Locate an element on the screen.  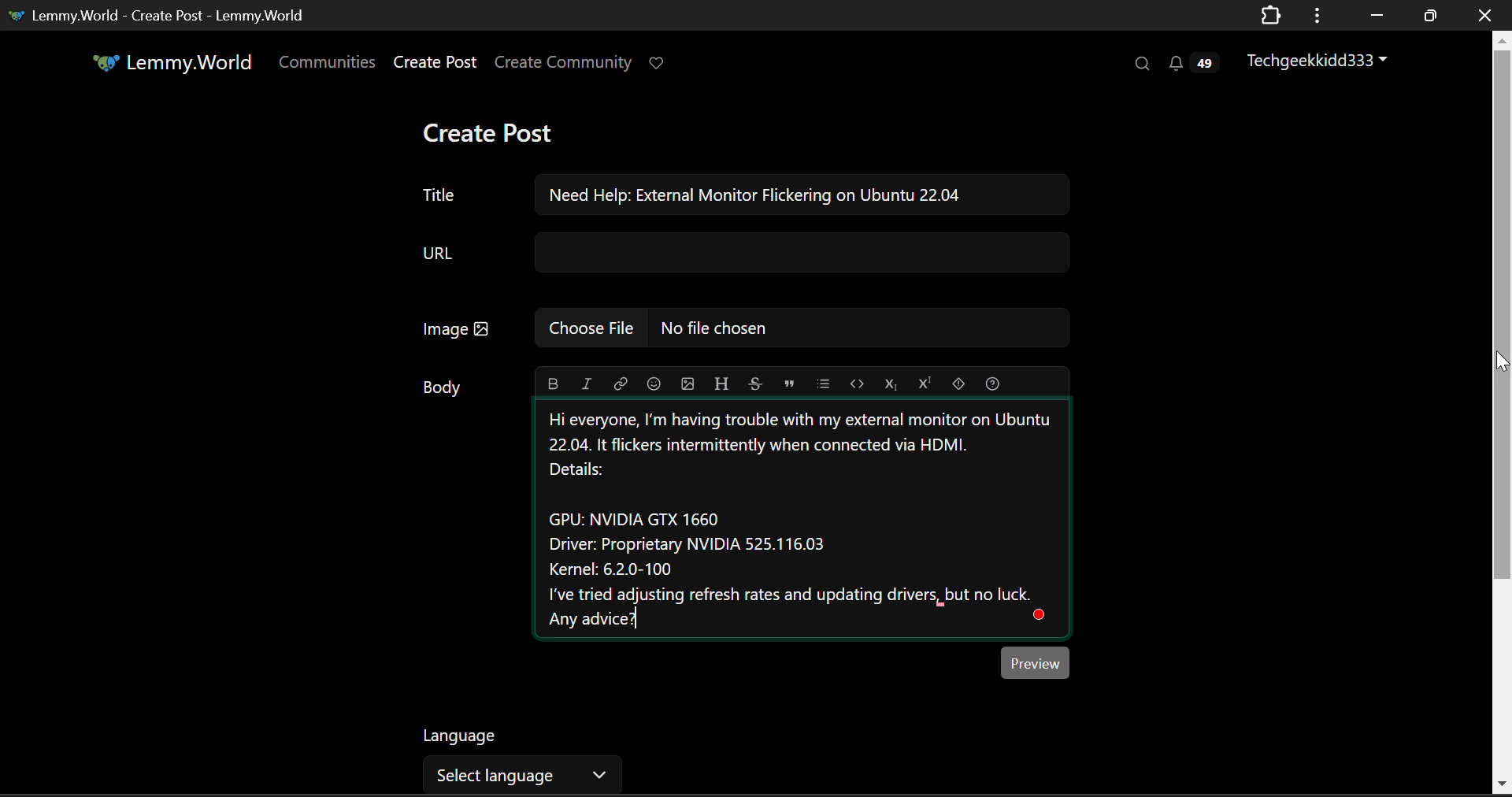
Insert Picture is located at coordinates (688, 385).